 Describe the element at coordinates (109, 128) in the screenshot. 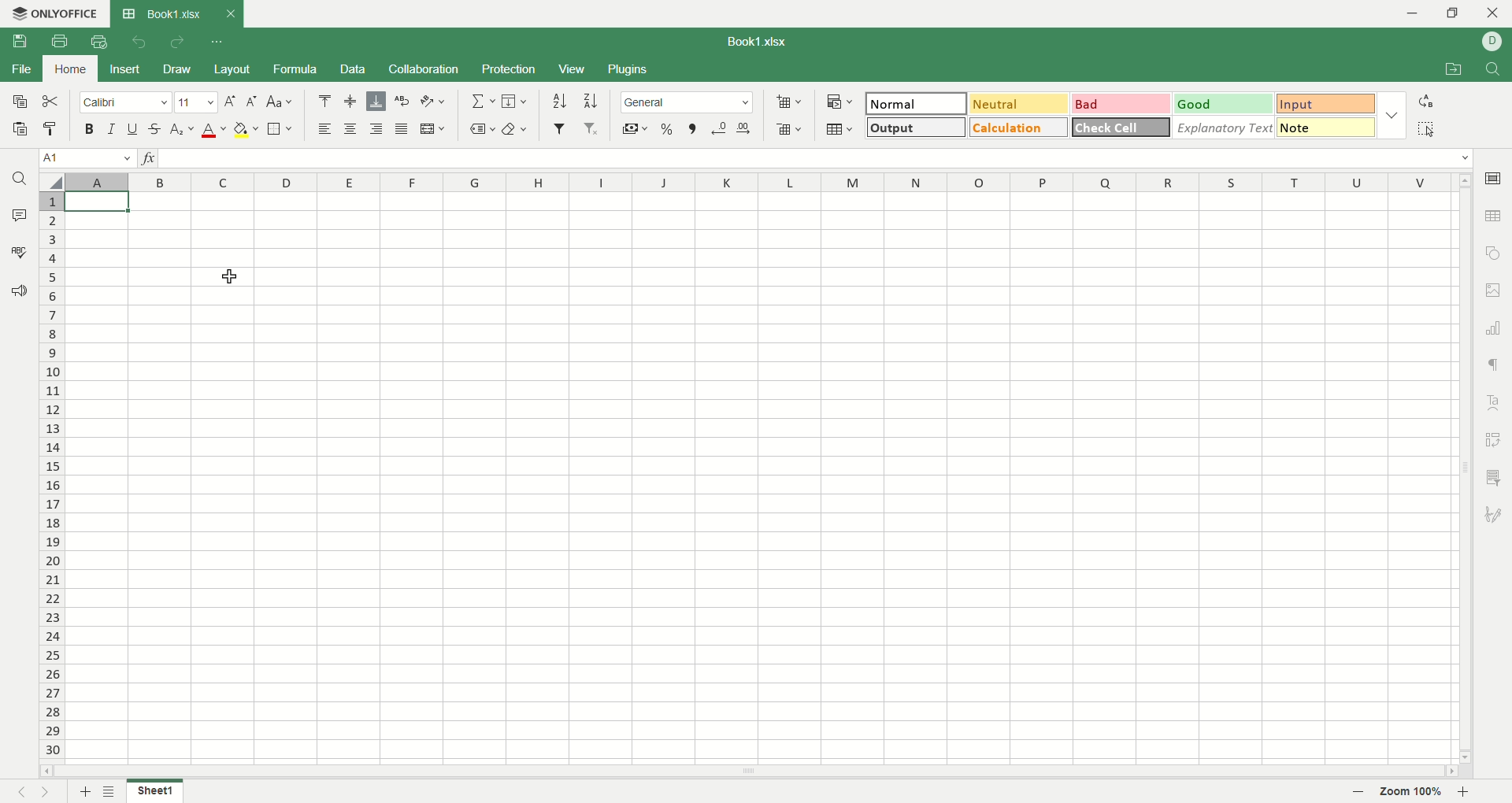

I see `italics` at that location.